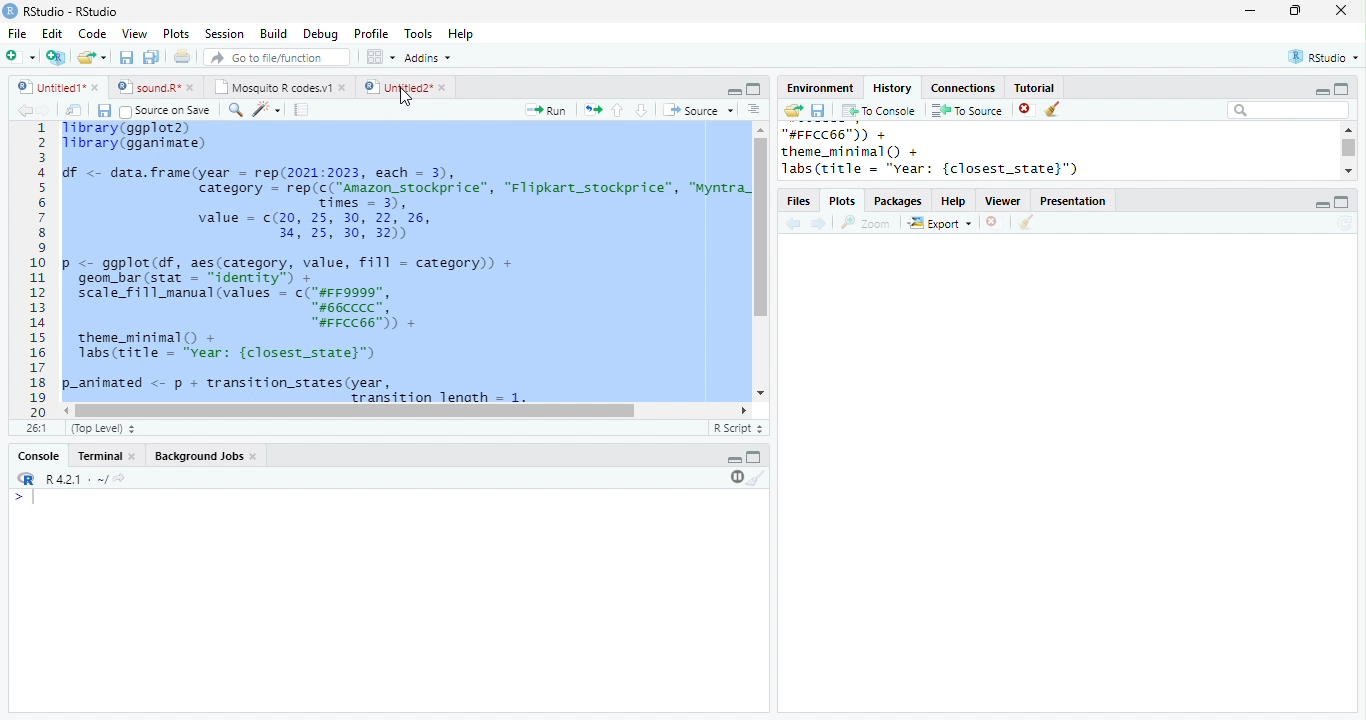 The width and height of the screenshot is (1366, 720). I want to click on 26:1, so click(37, 428).